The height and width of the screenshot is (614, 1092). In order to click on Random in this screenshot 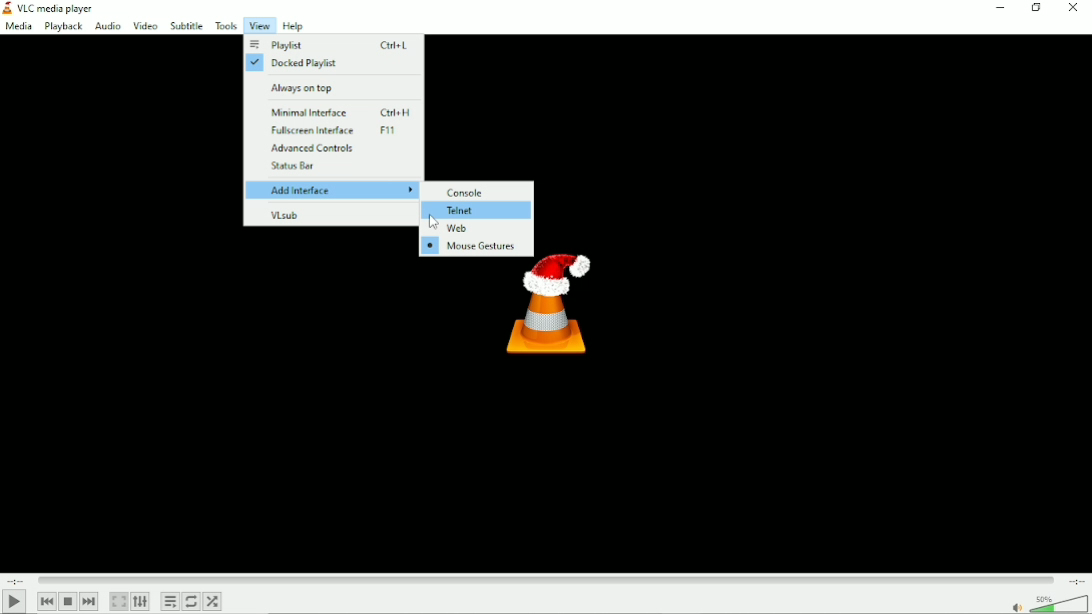, I will do `click(212, 601)`.